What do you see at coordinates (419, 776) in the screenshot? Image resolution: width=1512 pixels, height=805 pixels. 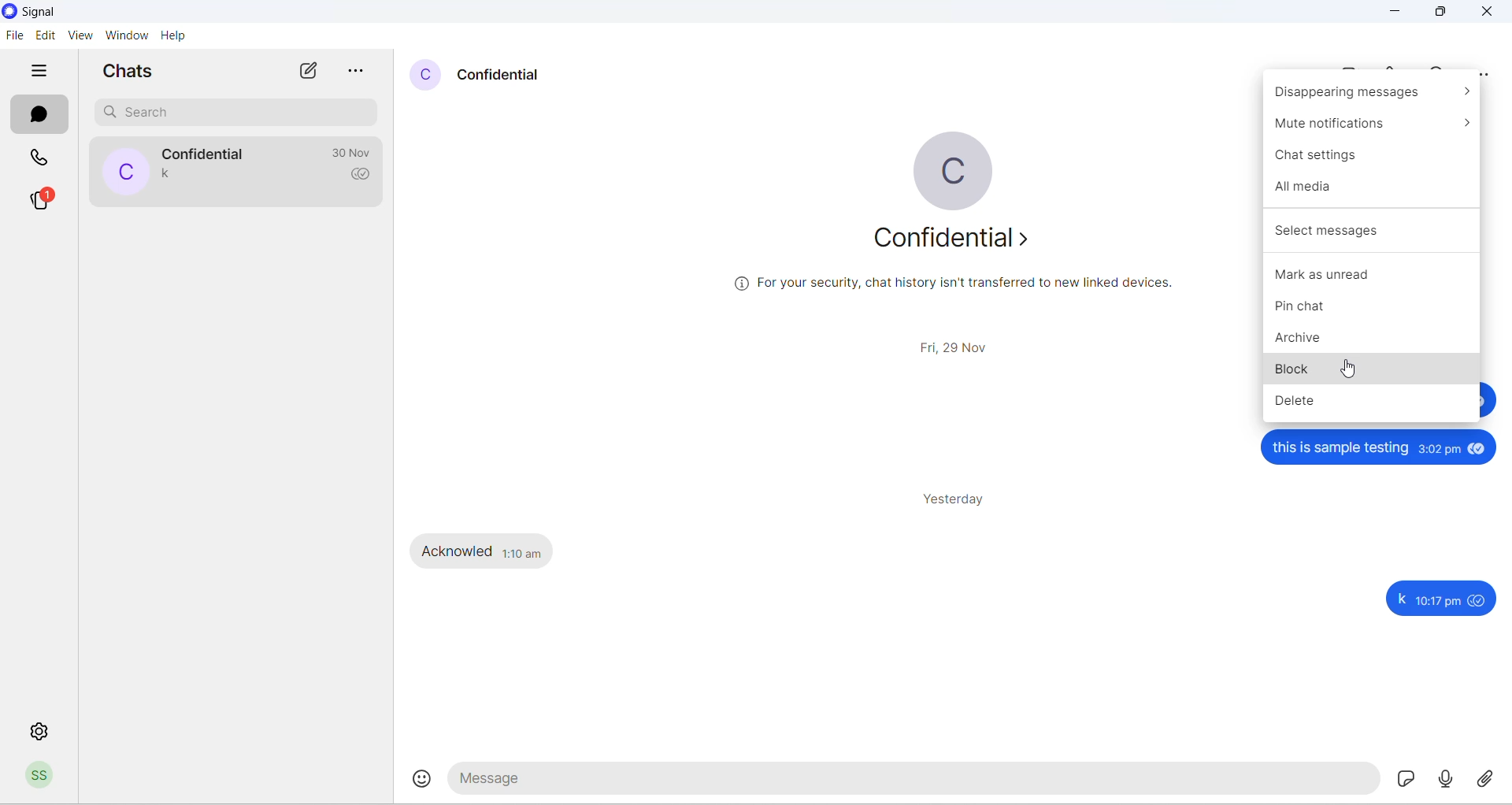 I see `emojis` at bounding box center [419, 776].